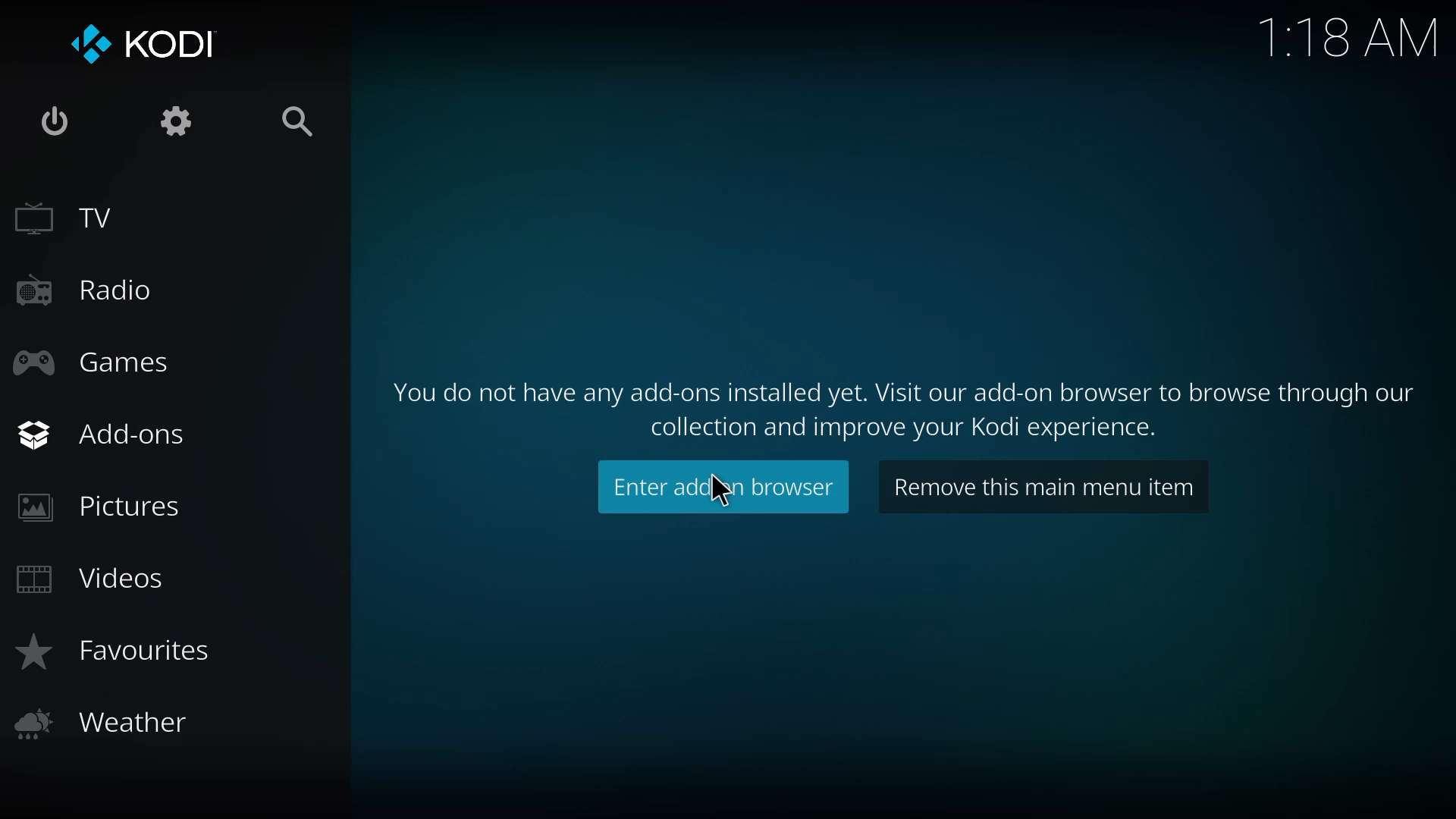  Describe the element at coordinates (1348, 36) in the screenshot. I see `time` at that location.